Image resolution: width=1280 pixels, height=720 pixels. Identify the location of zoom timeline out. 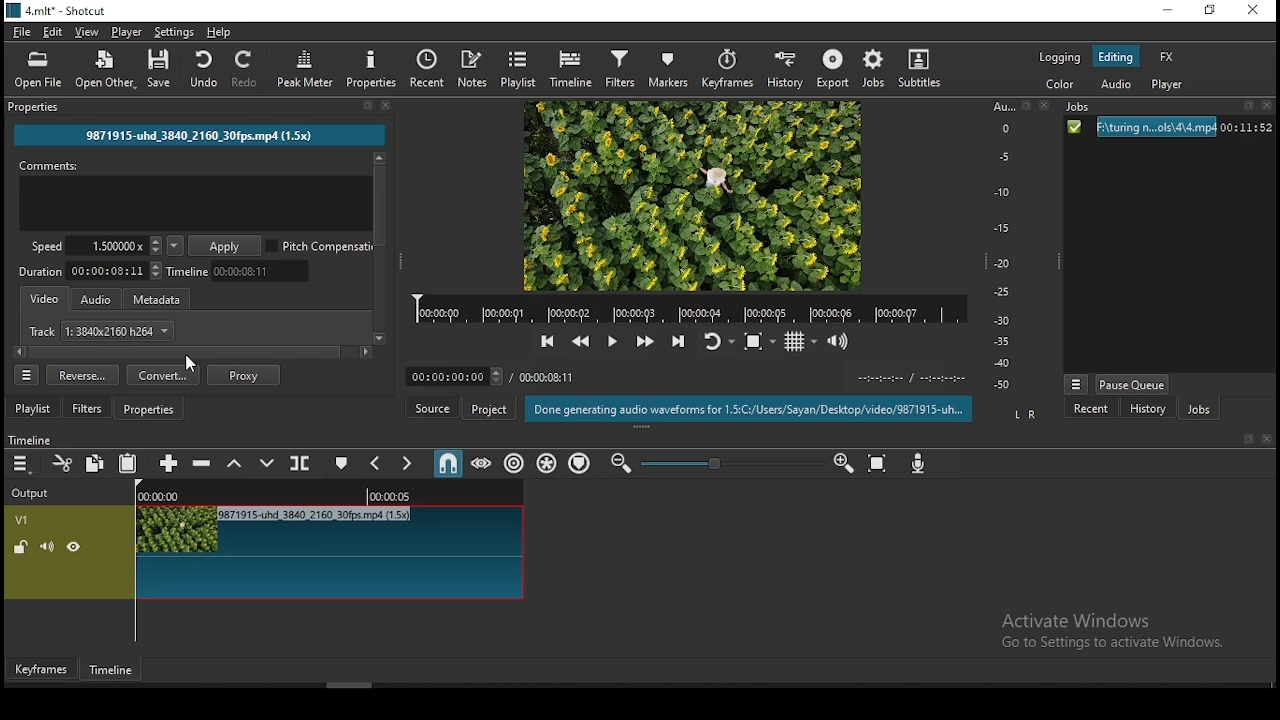
(624, 463).